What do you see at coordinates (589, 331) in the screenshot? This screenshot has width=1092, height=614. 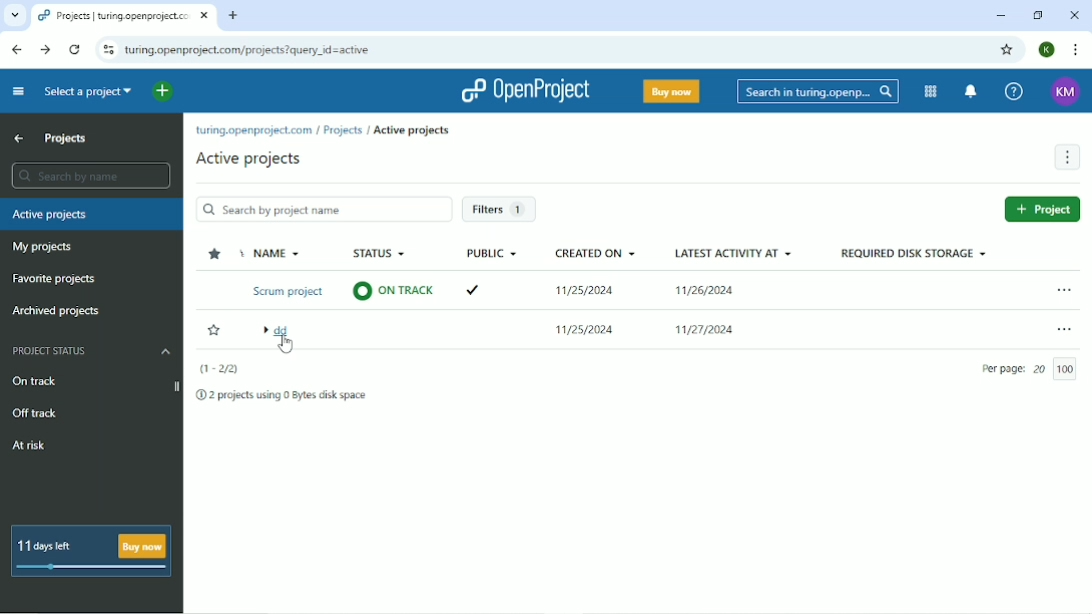 I see `11/25/2024` at bounding box center [589, 331].